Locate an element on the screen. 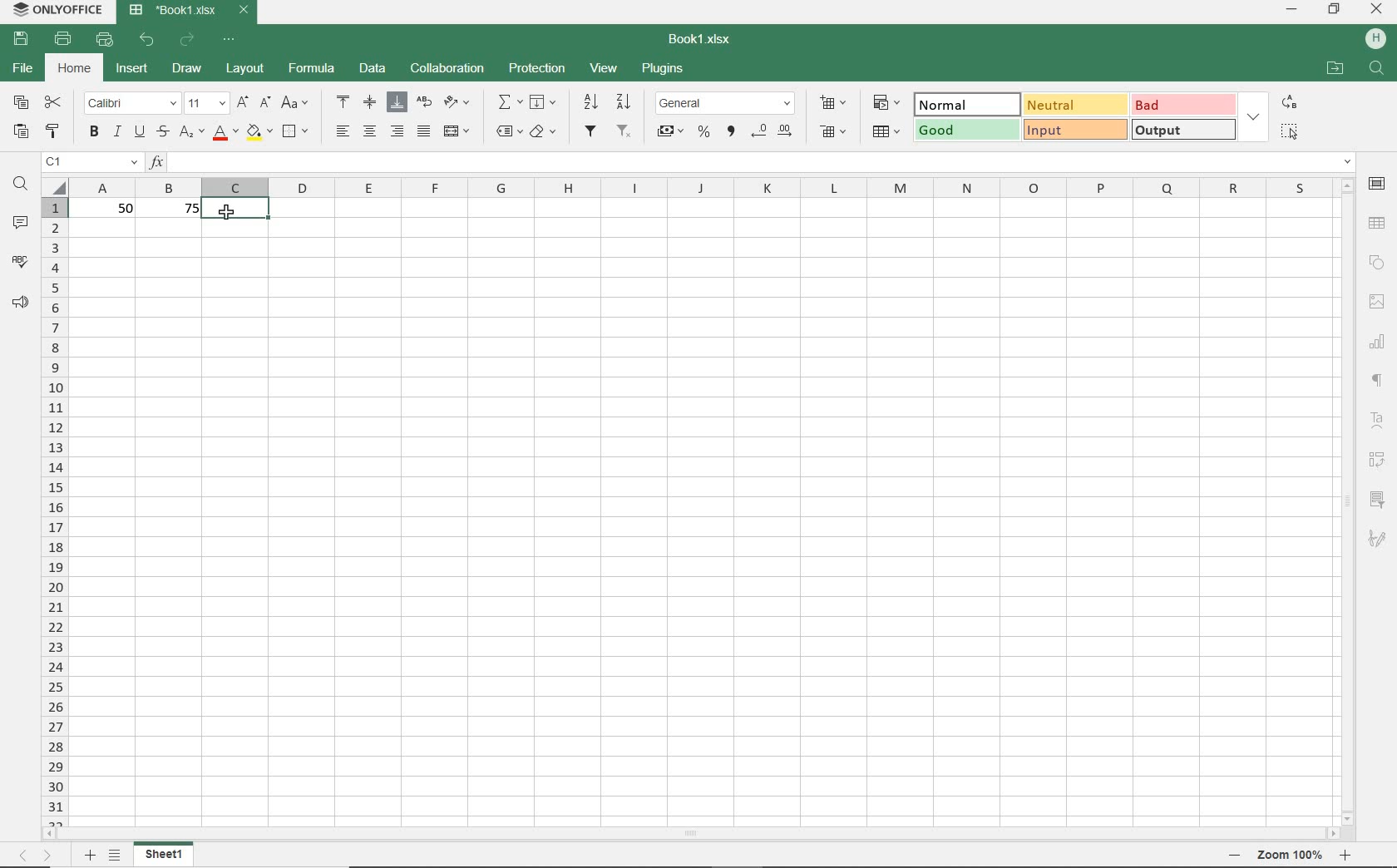 The height and width of the screenshot is (868, 1397). conditional formatting is located at coordinates (889, 102).